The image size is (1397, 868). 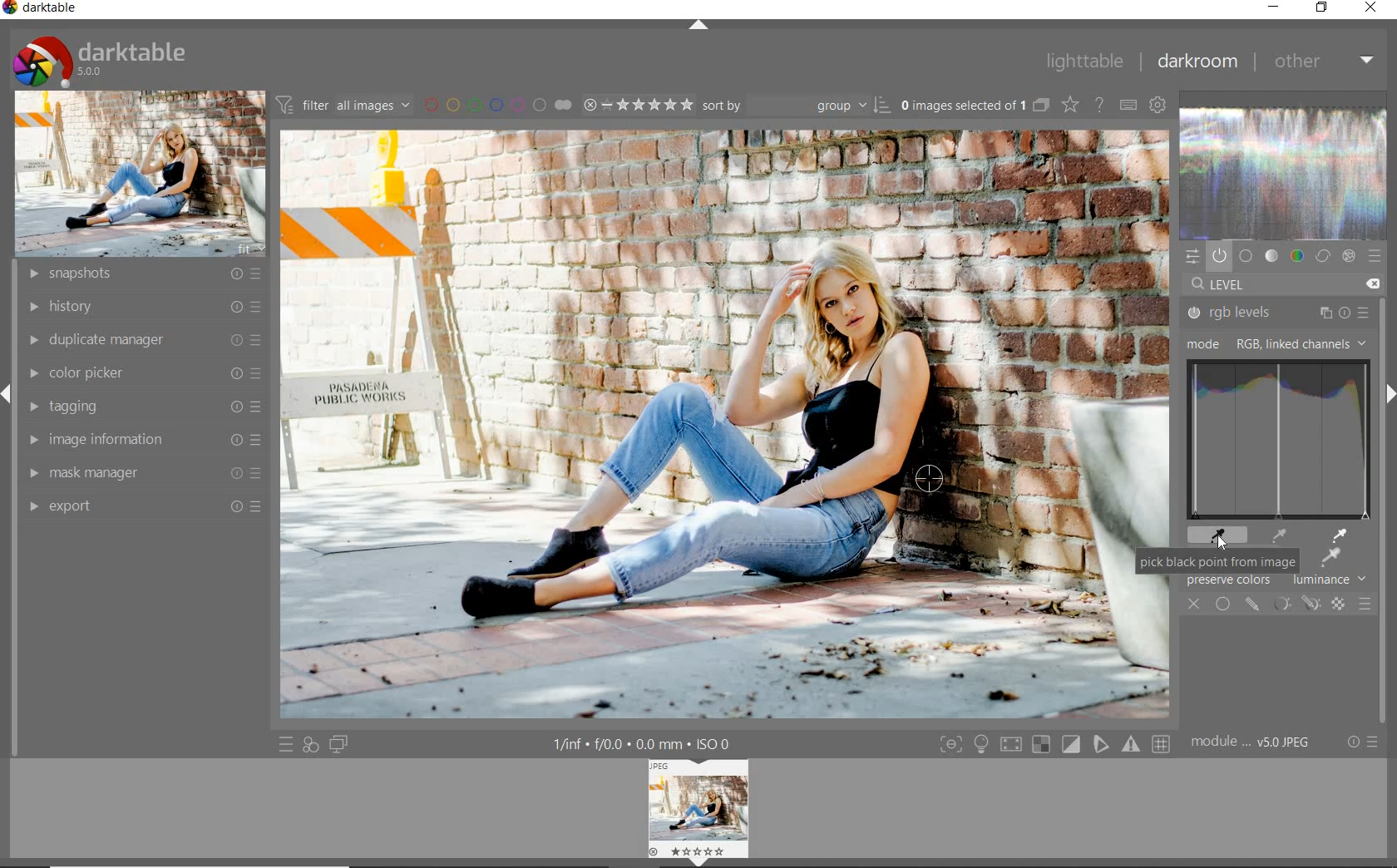 What do you see at coordinates (797, 106) in the screenshot?
I see `Sort` at bounding box center [797, 106].